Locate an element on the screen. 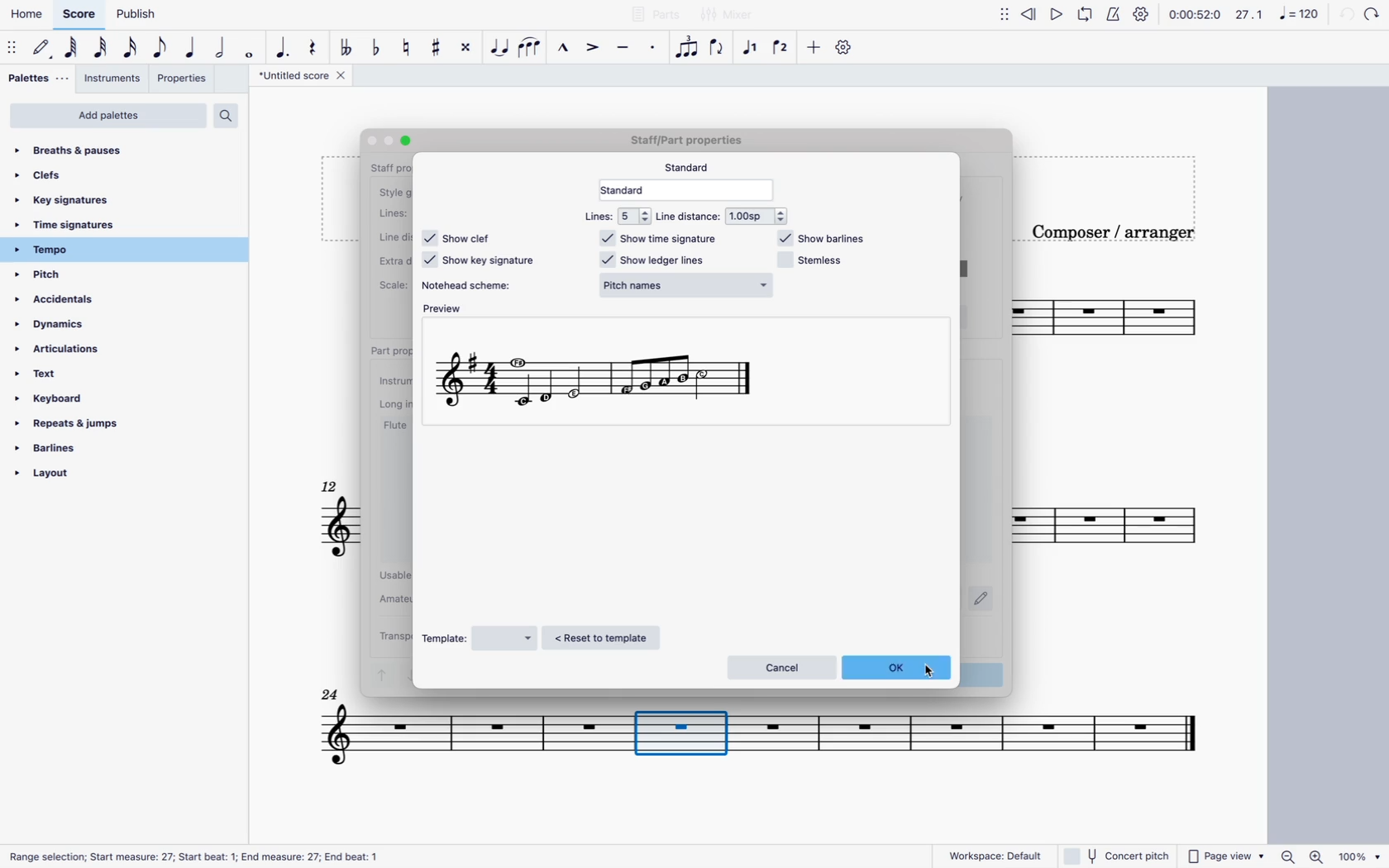 This screenshot has width=1389, height=868. composer / arranger is located at coordinates (1119, 230).